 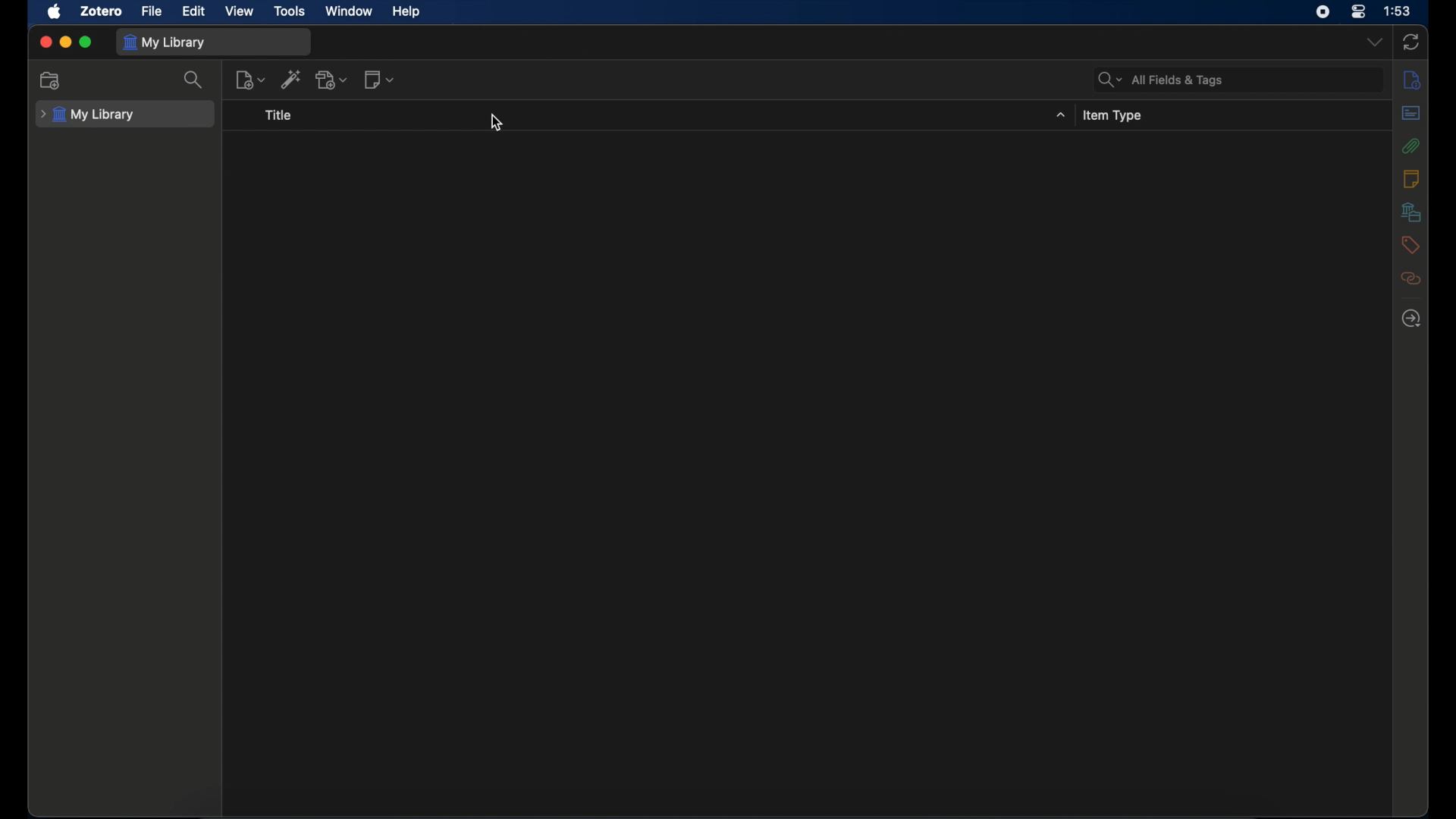 What do you see at coordinates (1411, 212) in the screenshot?
I see `libraries` at bounding box center [1411, 212].